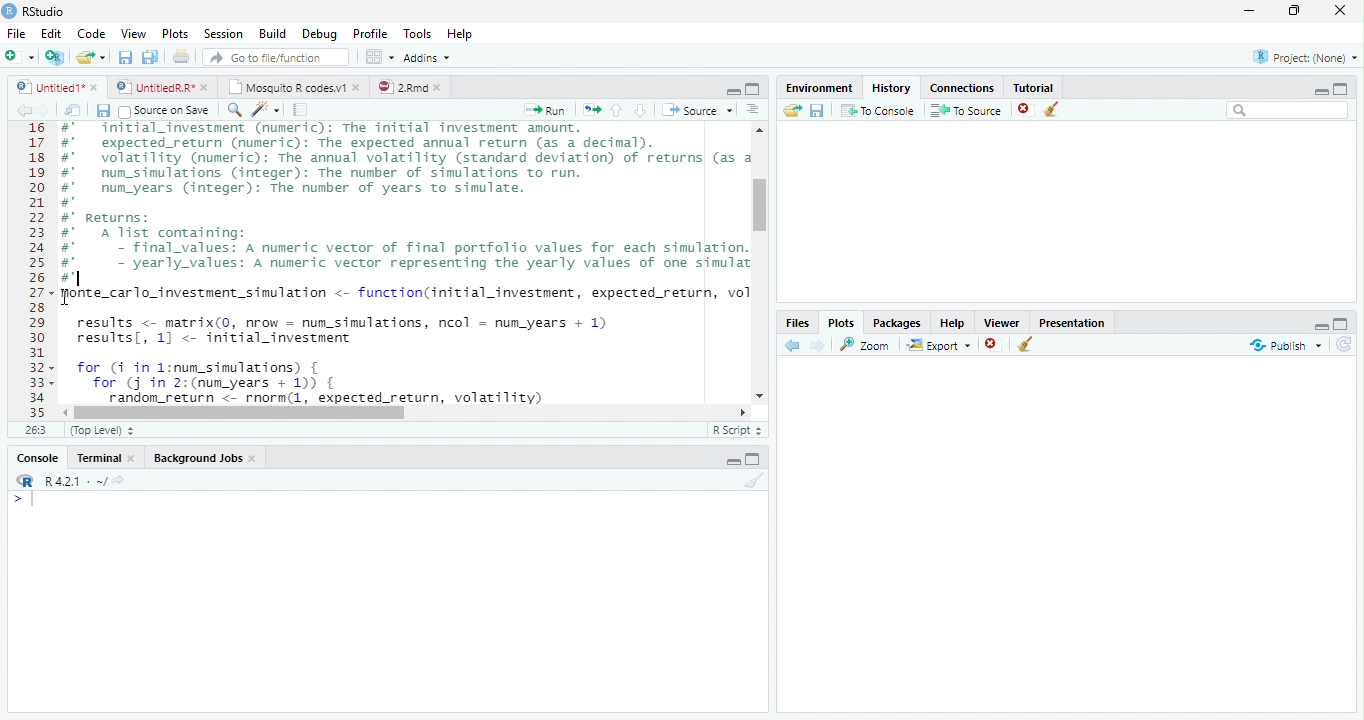 Image resolution: width=1364 pixels, height=720 pixels. Describe the element at coordinates (34, 11) in the screenshot. I see `RStudio` at that location.